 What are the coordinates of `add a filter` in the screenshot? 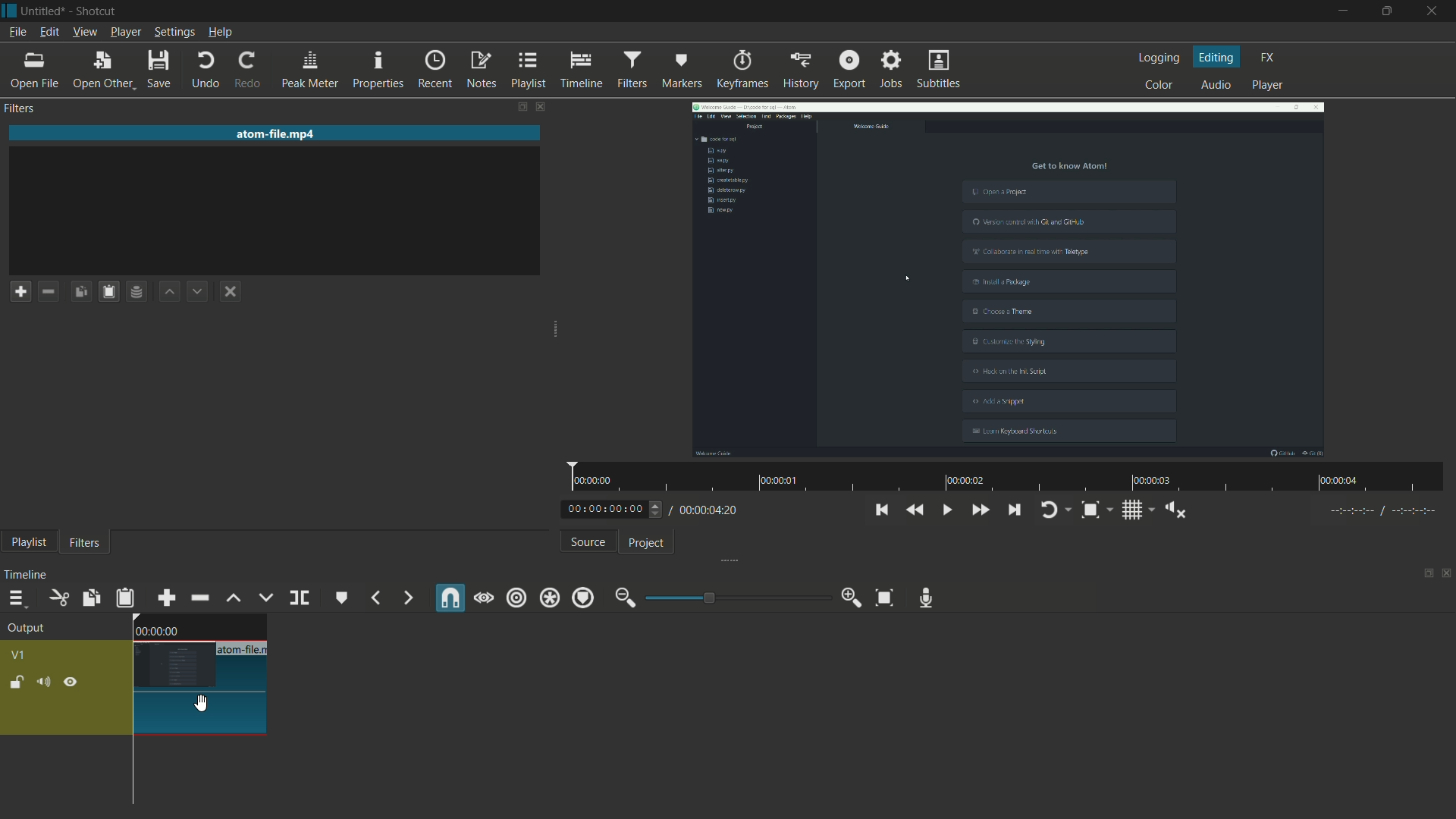 It's located at (20, 290).